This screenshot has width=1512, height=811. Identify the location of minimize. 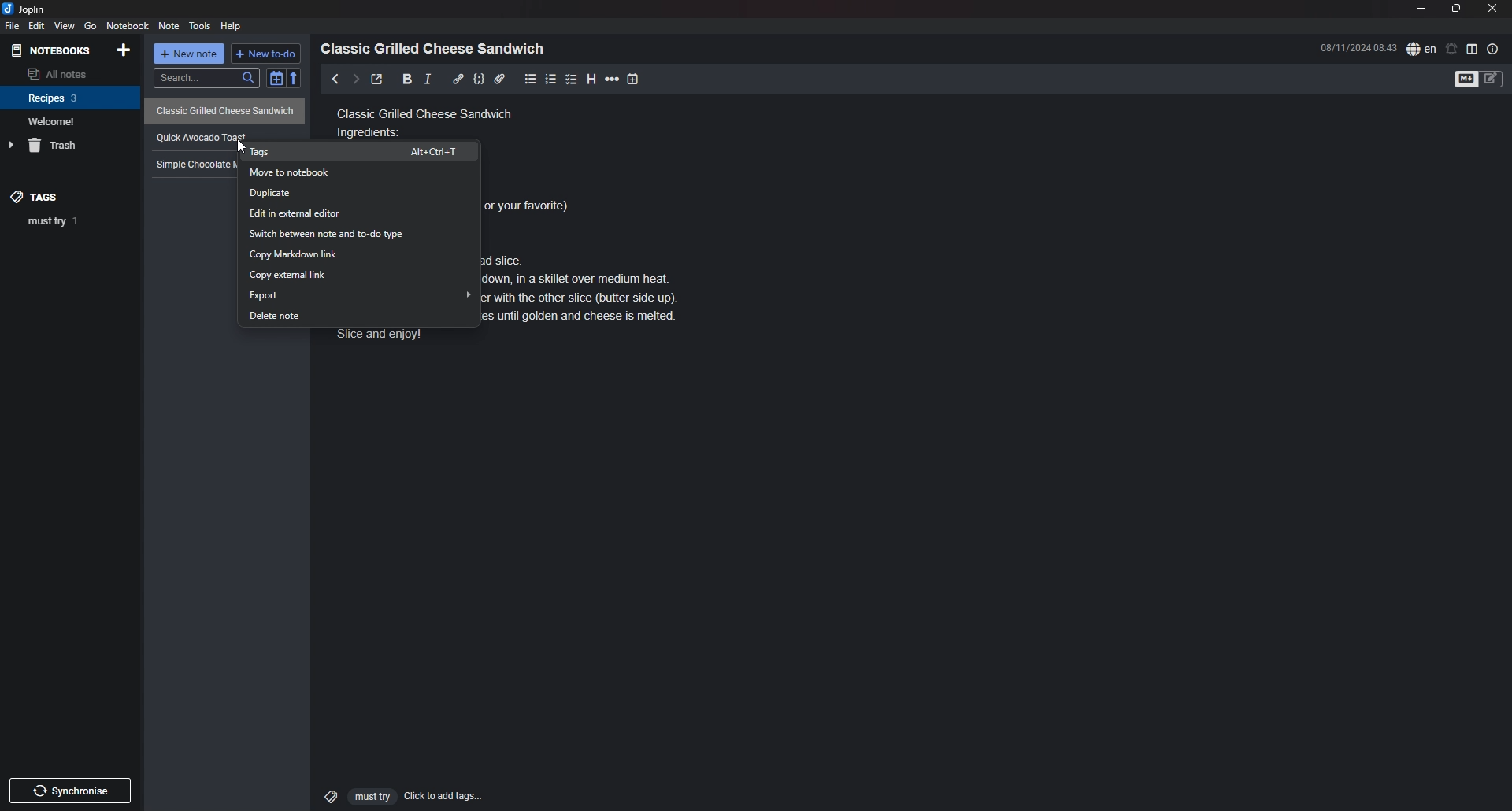
(1421, 9).